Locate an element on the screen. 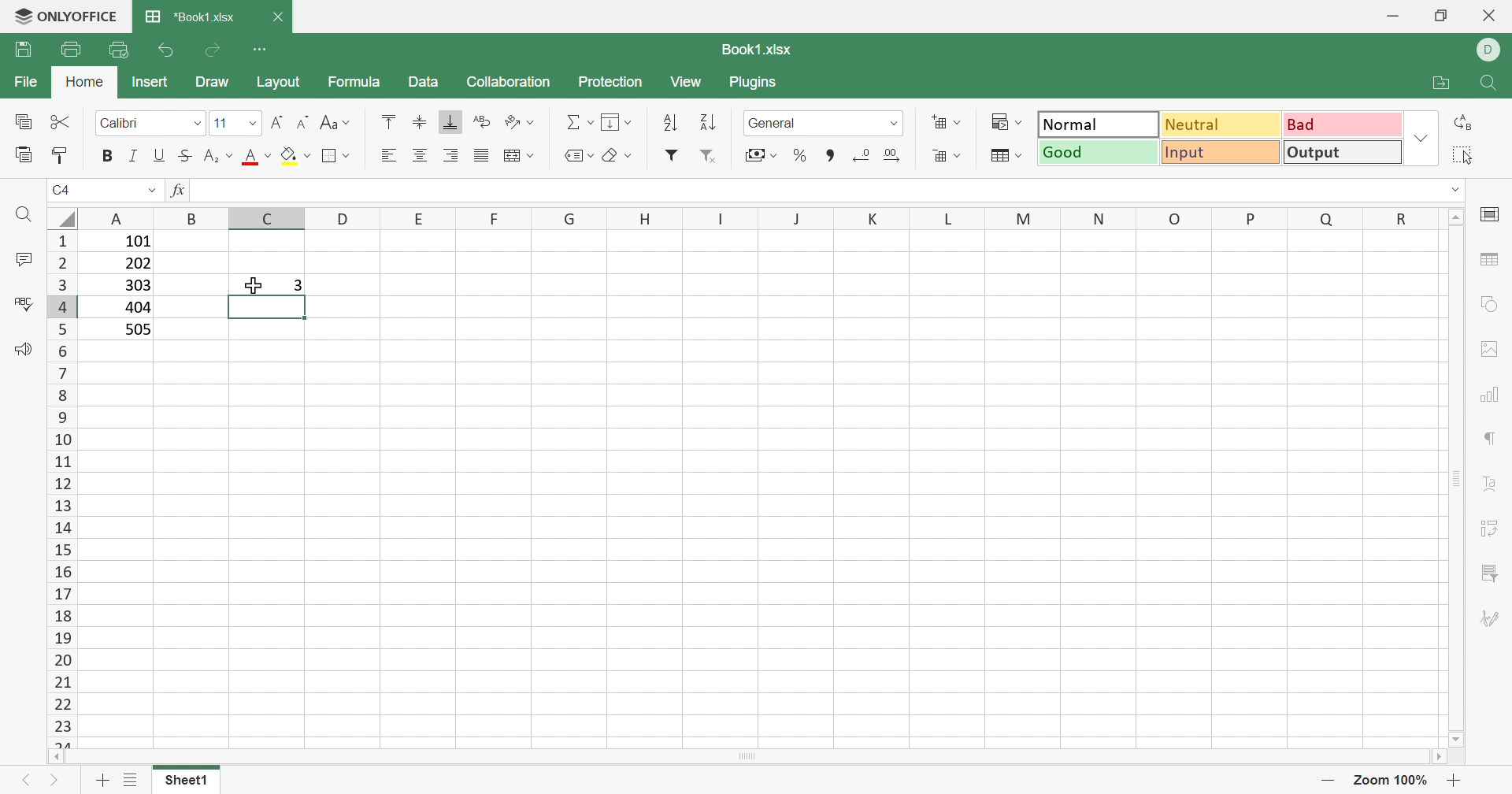 This screenshot has height=794, width=1512. Wrap Text is located at coordinates (480, 123).